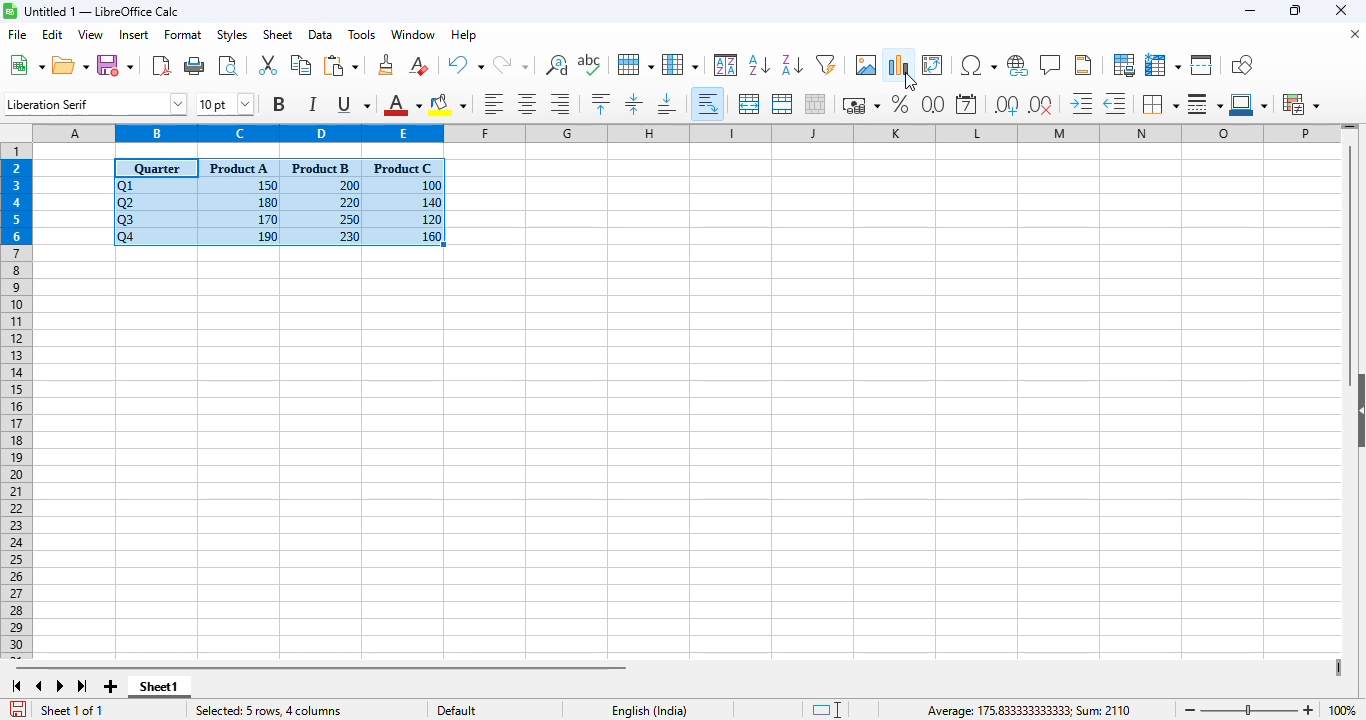  Describe the element at coordinates (183, 35) in the screenshot. I see `format` at that location.